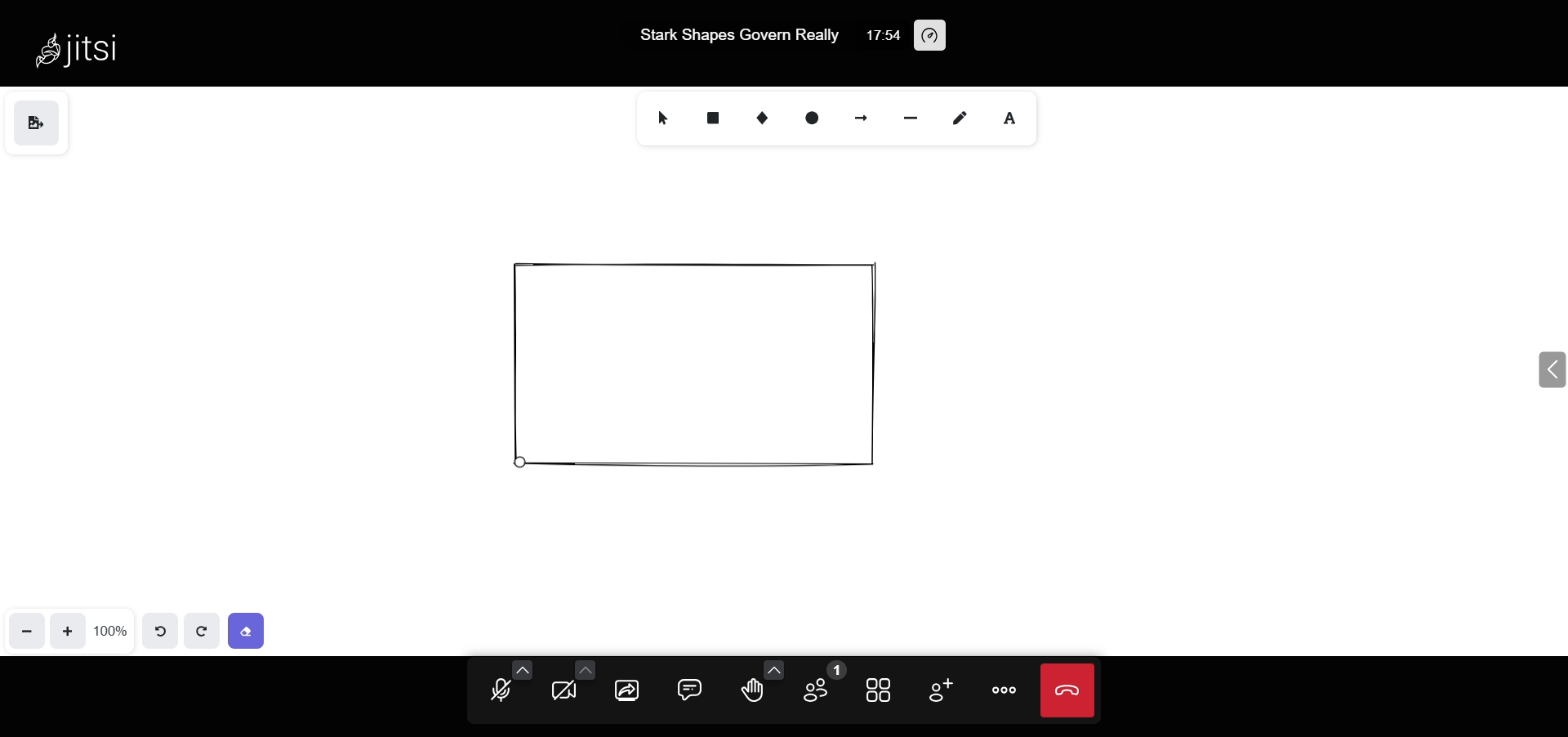 The image size is (1568, 737). I want to click on rectangle, so click(715, 118).